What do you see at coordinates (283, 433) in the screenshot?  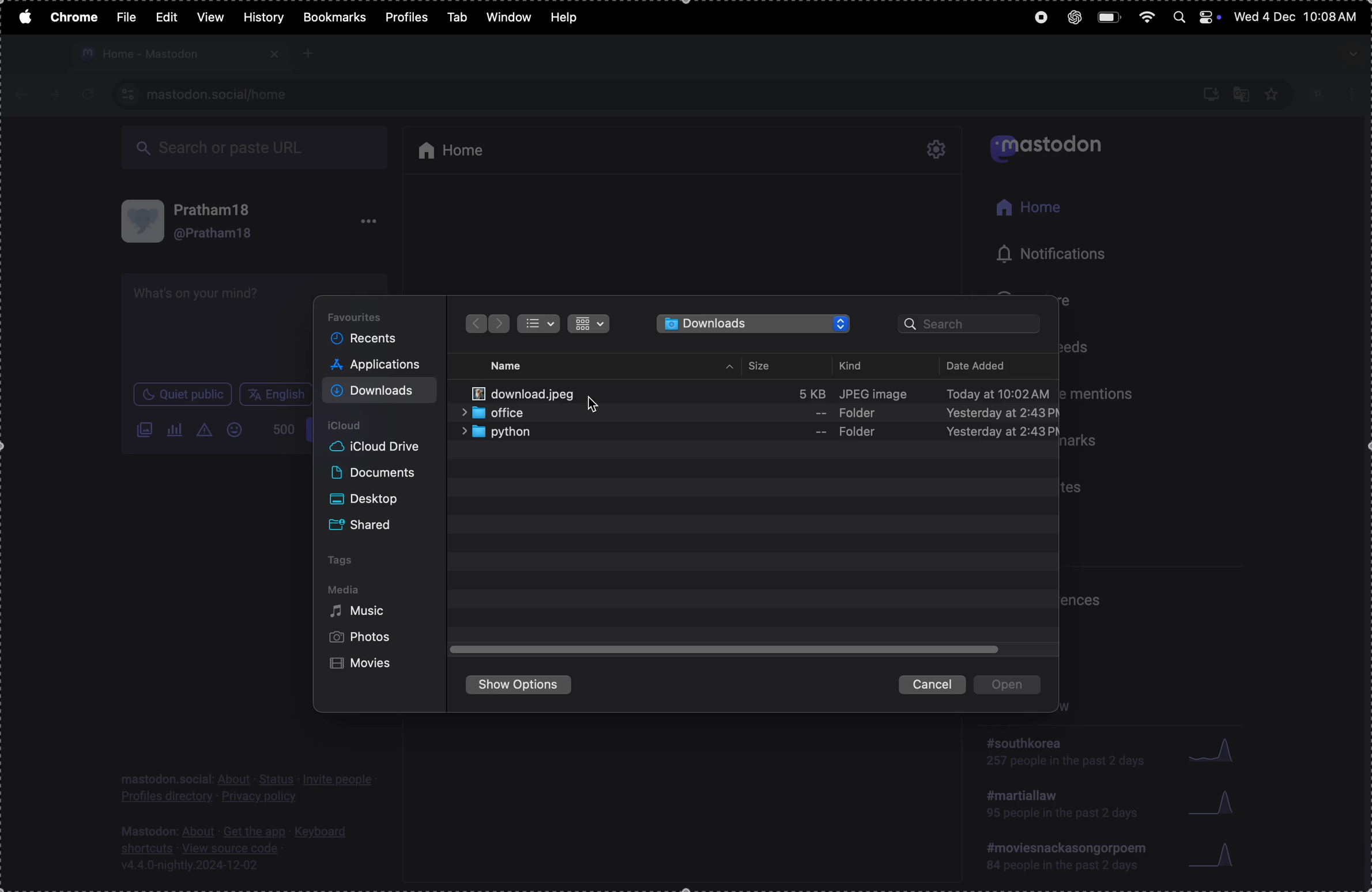 I see `500 words` at bounding box center [283, 433].